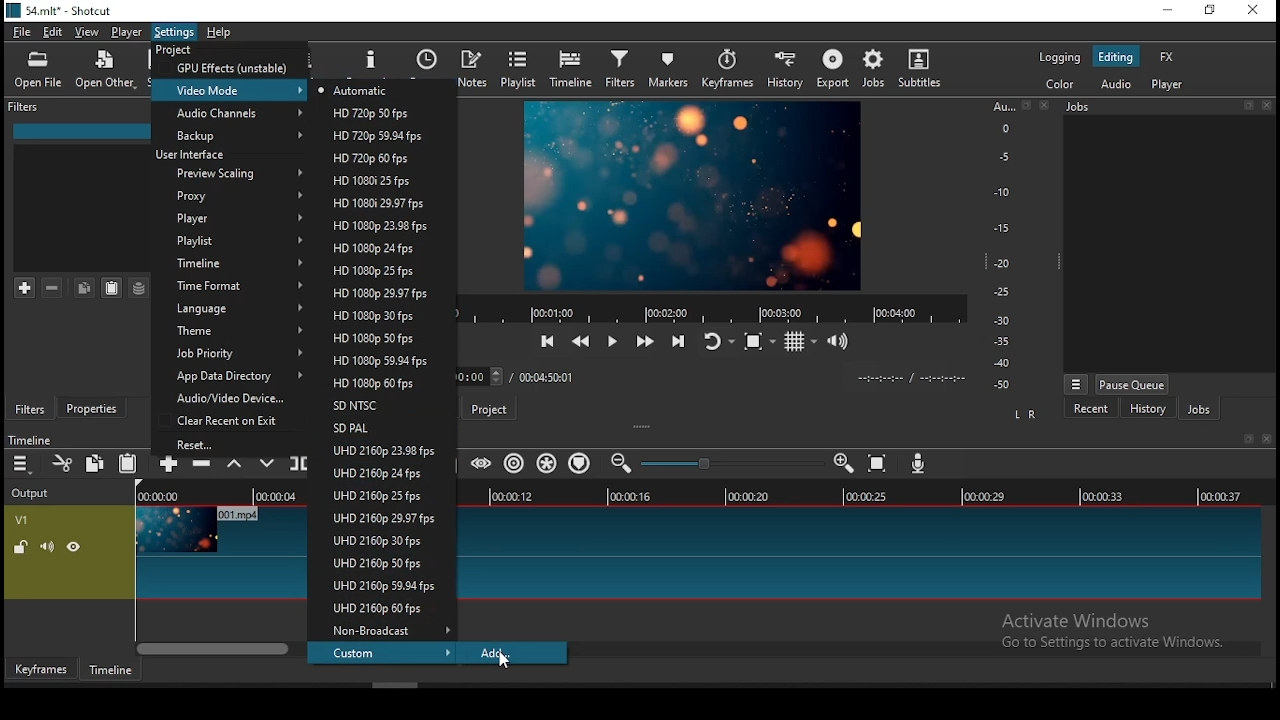  I want to click on -15, so click(1000, 227).